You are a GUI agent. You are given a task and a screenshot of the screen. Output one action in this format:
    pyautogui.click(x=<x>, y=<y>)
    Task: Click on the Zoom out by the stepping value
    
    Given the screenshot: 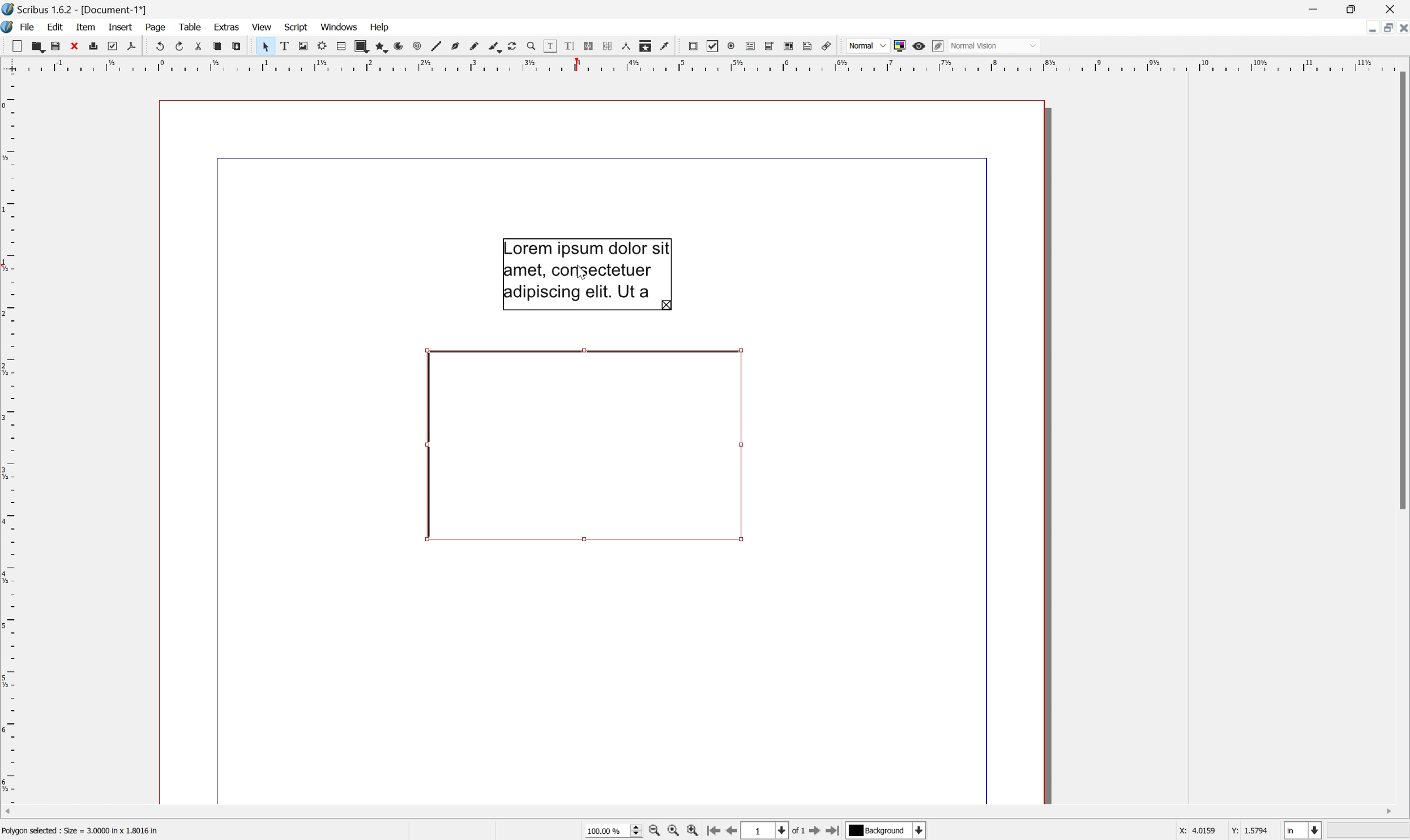 What is the action you would take?
    pyautogui.click(x=657, y=832)
    